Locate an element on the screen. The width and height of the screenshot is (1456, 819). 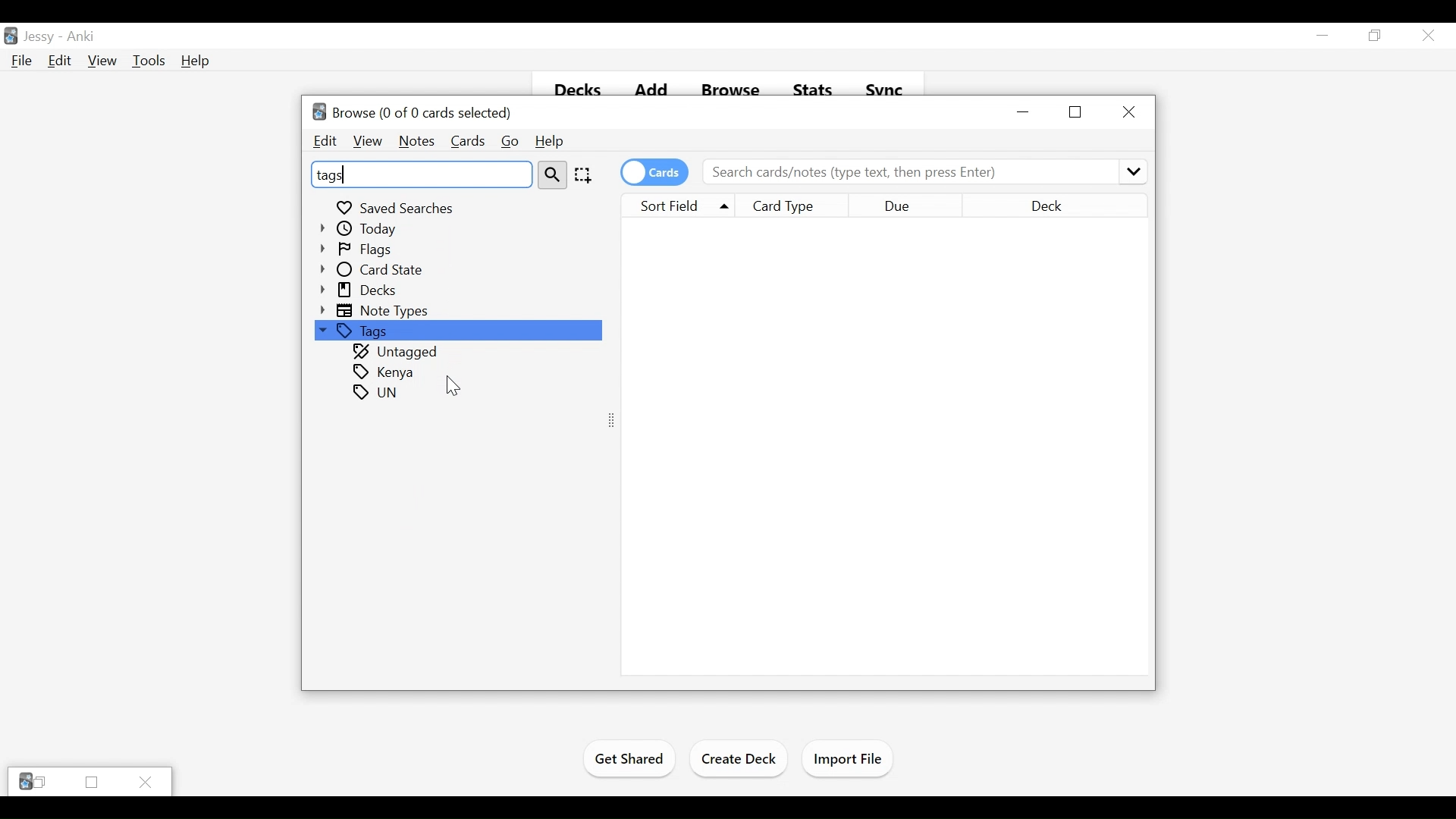
Cards is located at coordinates (466, 142).